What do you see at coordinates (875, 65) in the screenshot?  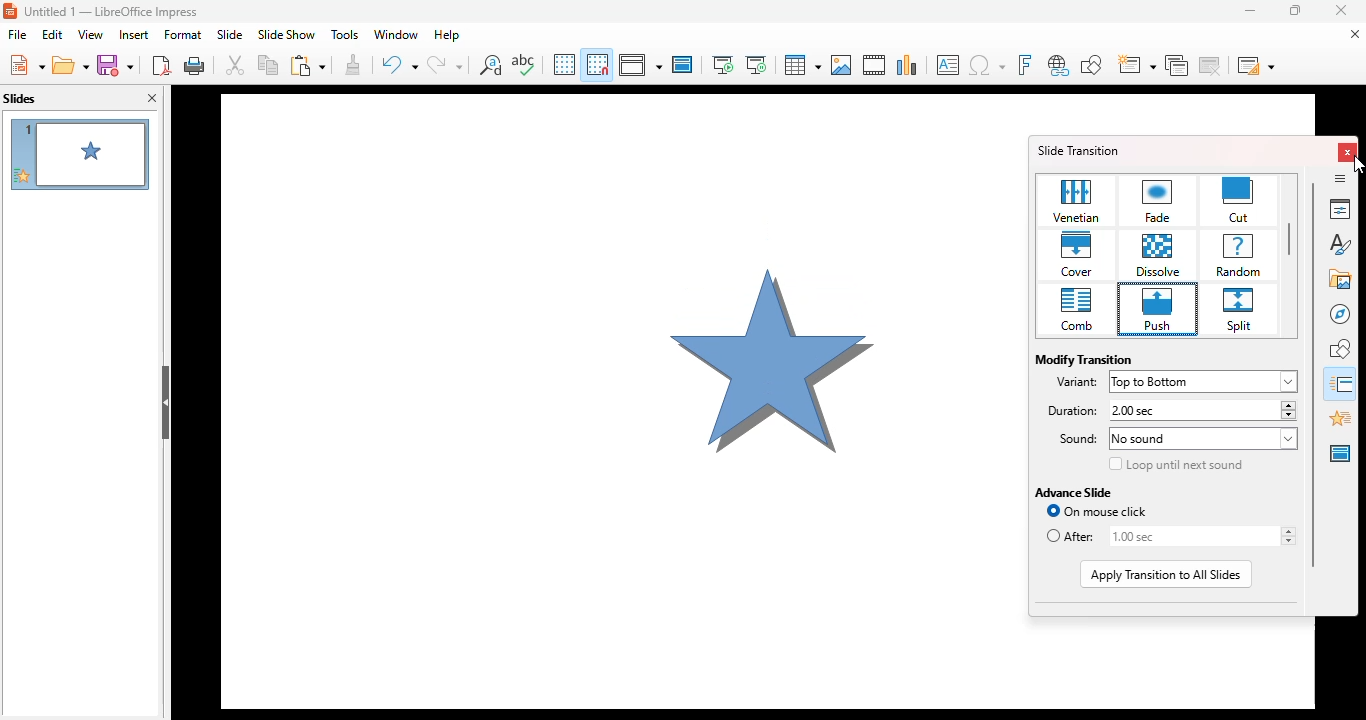 I see `insert audio or video` at bounding box center [875, 65].